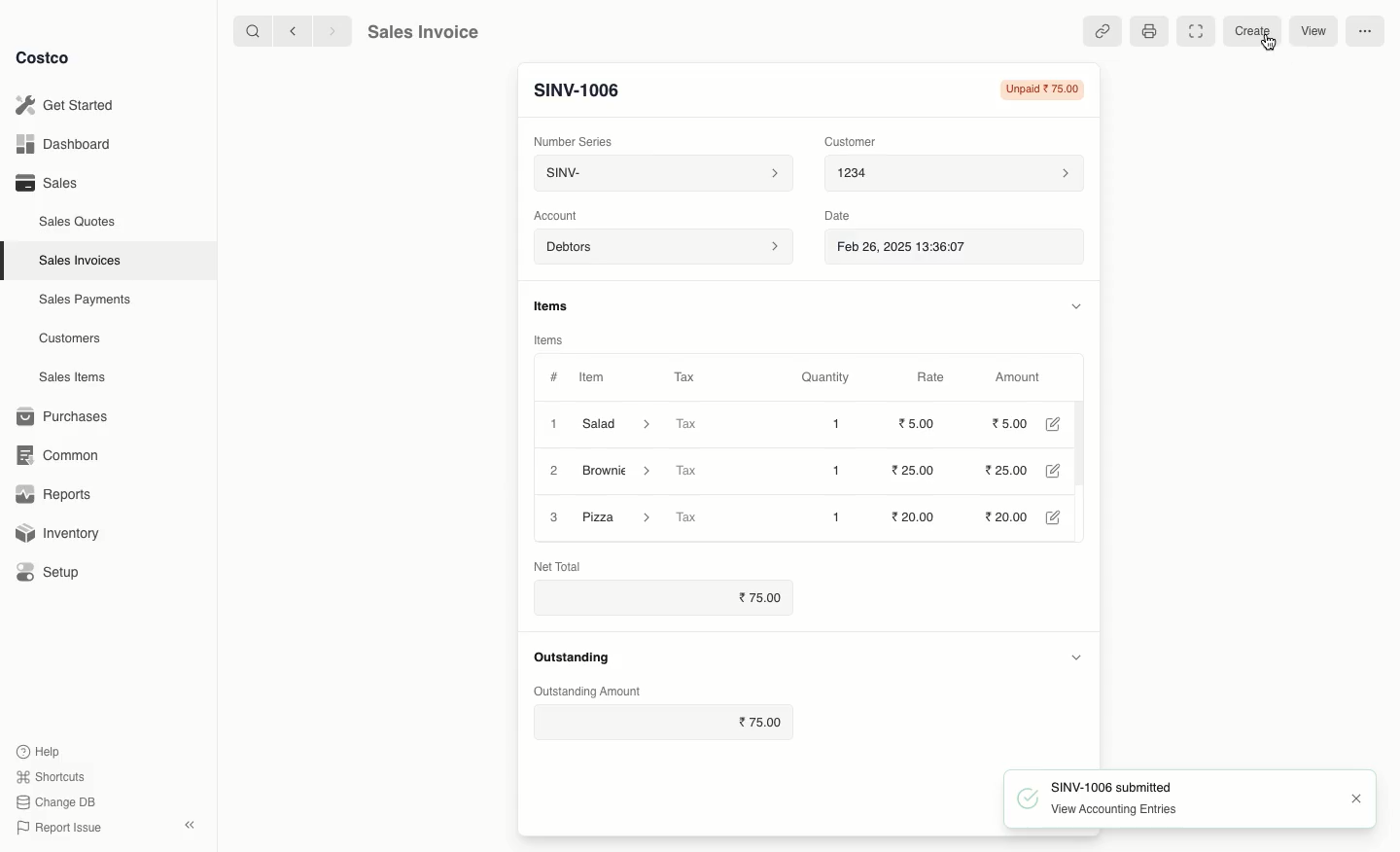  What do you see at coordinates (291, 31) in the screenshot?
I see `Back` at bounding box center [291, 31].